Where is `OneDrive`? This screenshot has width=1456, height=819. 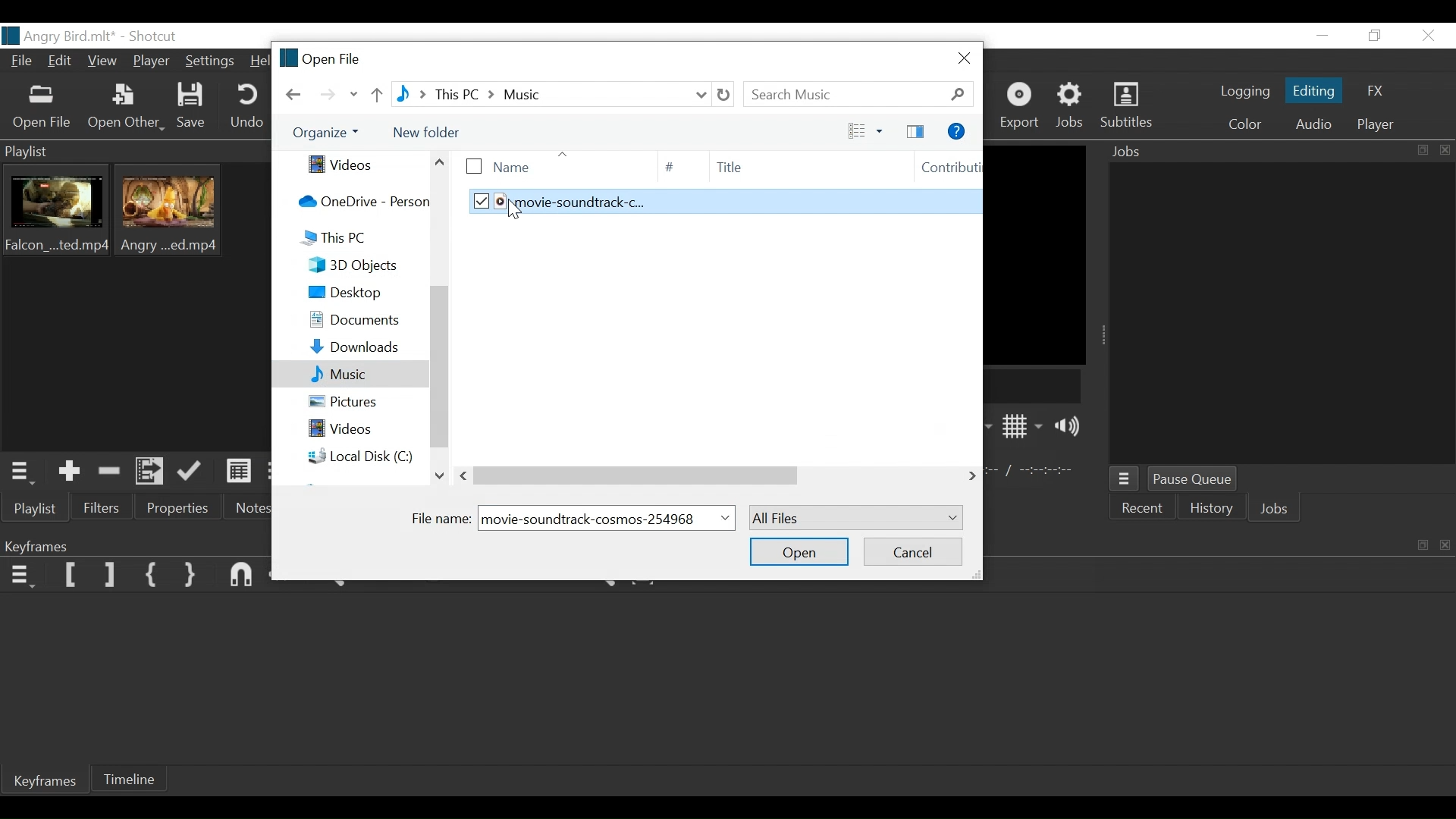
OneDrive is located at coordinates (353, 201).